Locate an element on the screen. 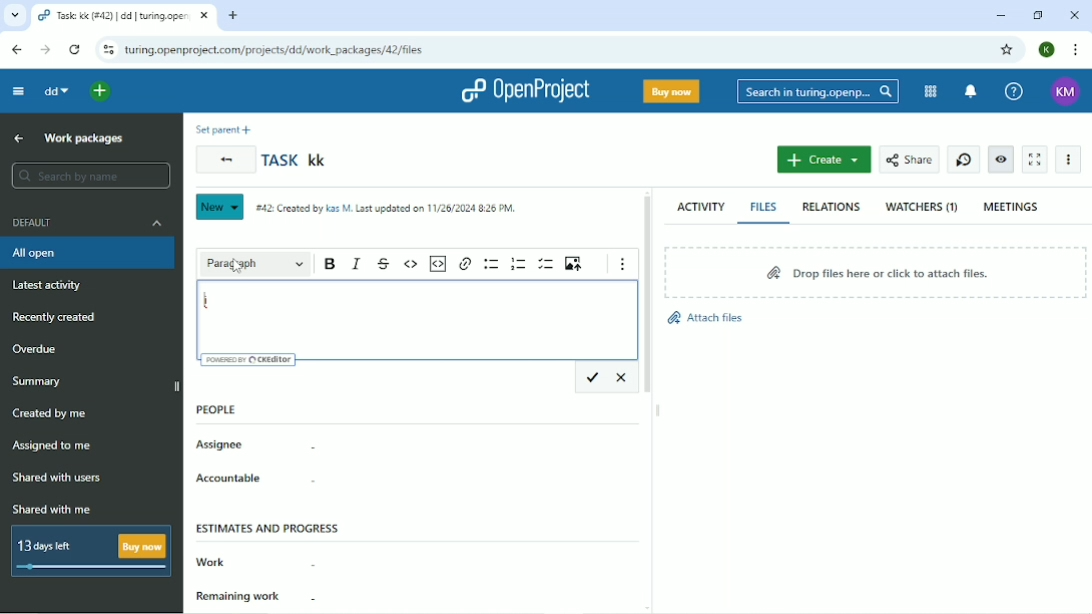  Drop files here or click to attach files is located at coordinates (873, 271).